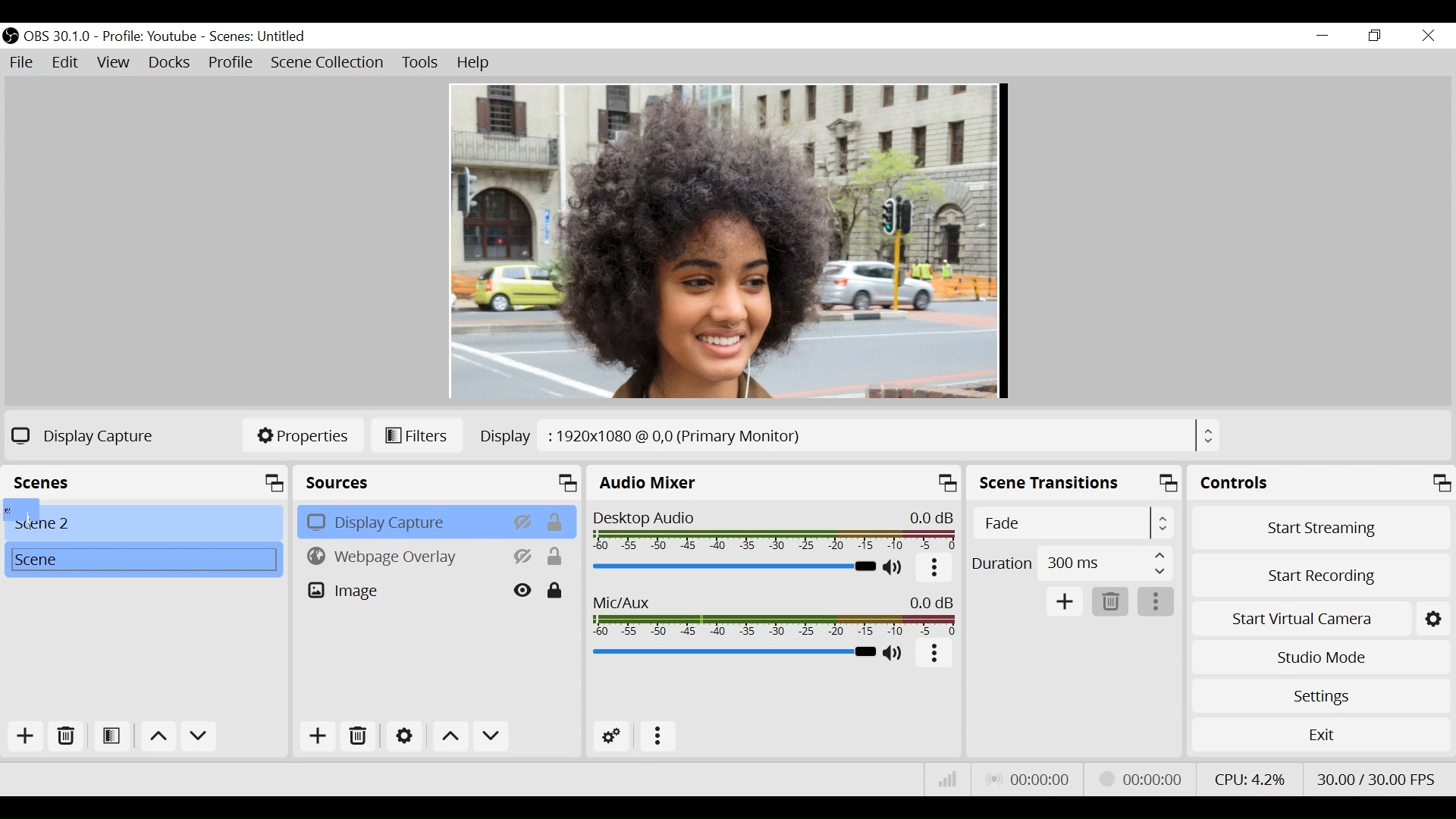 Image resolution: width=1456 pixels, height=819 pixels. What do you see at coordinates (732, 652) in the screenshot?
I see `Mic/Aux` at bounding box center [732, 652].